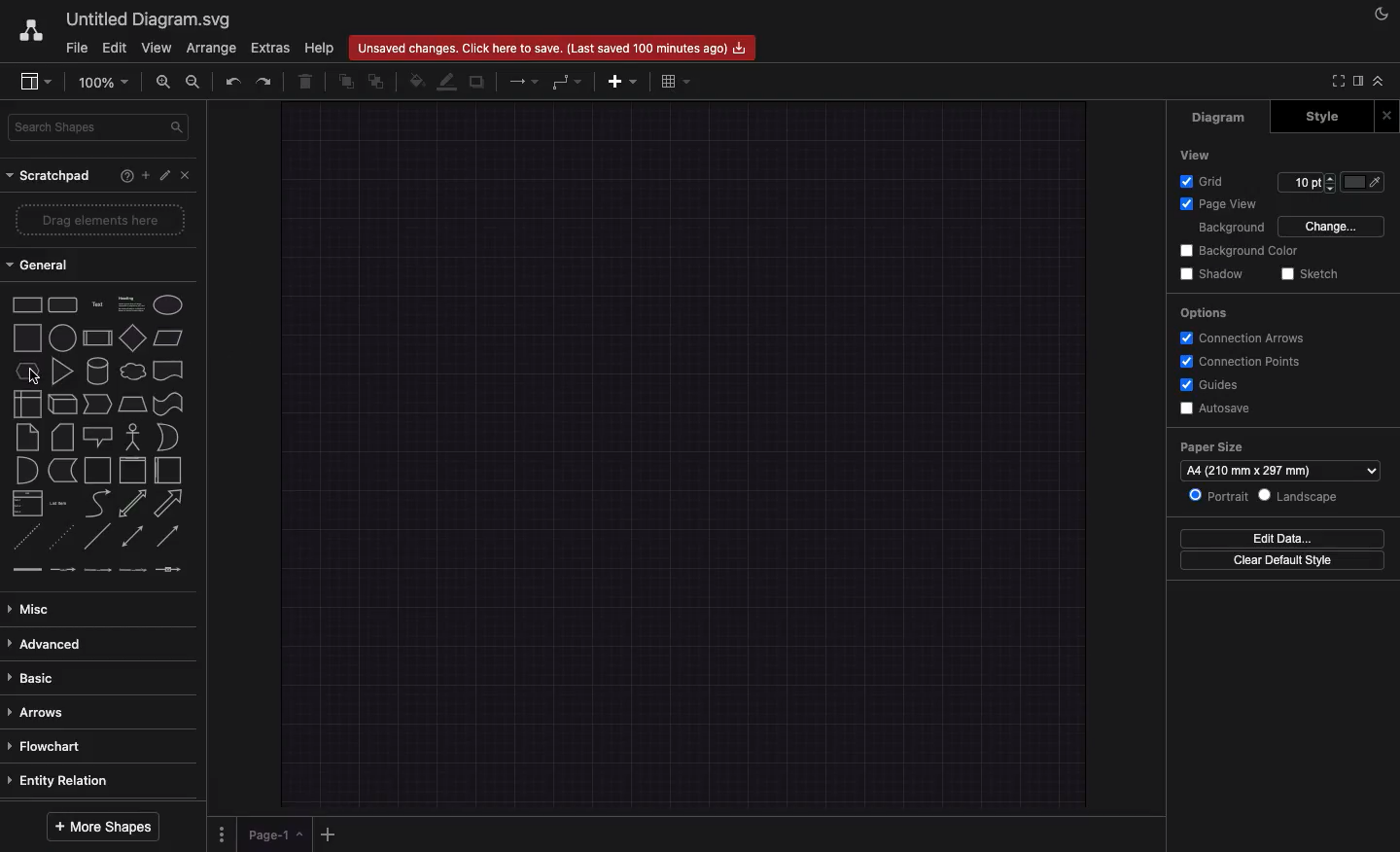 This screenshot has width=1400, height=852. What do you see at coordinates (1356, 81) in the screenshot?
I see `Sidebar` at bounding box center [1356, 81].